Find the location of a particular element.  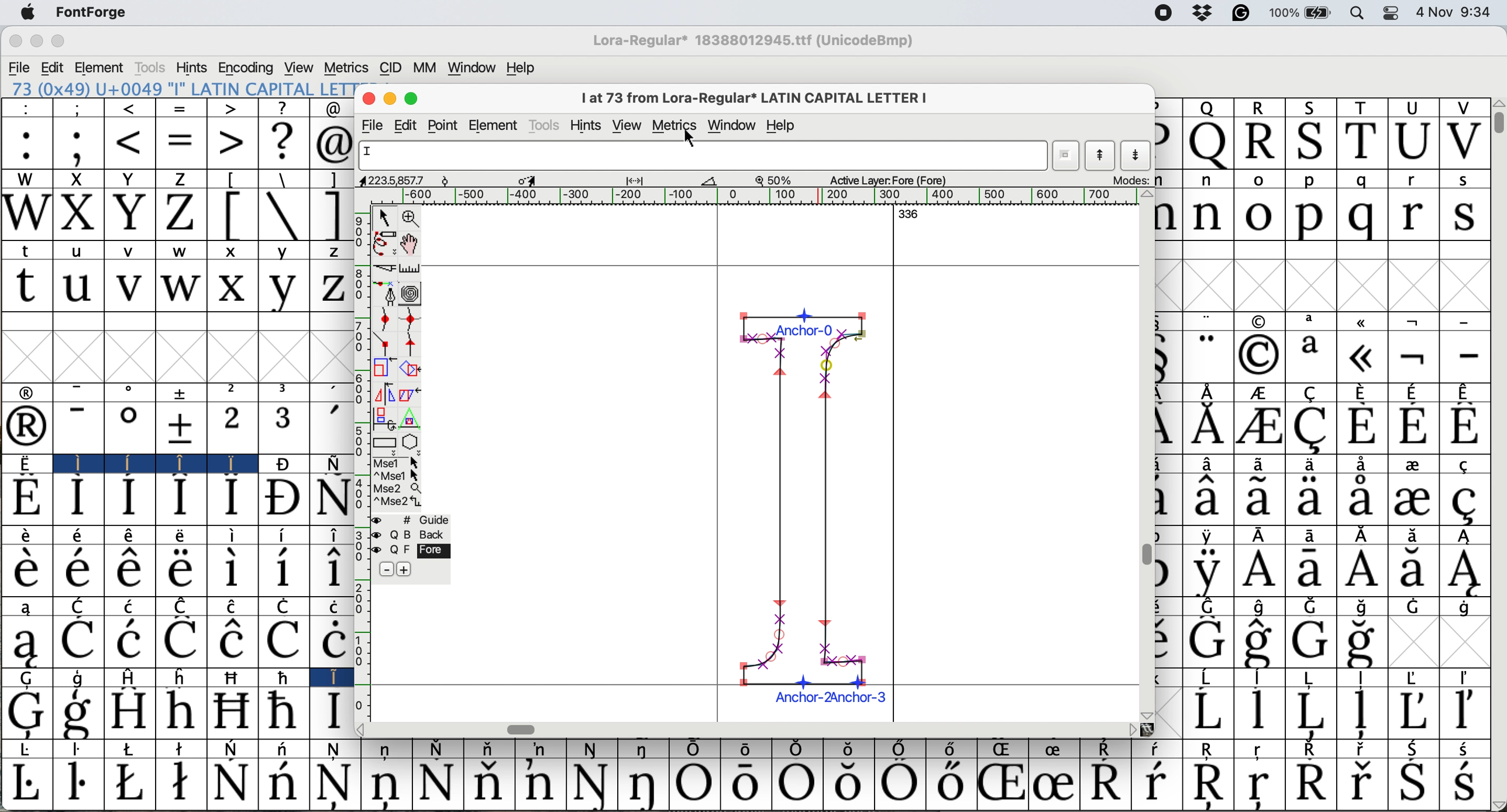

Symbol is located at coordinates (283, 784).